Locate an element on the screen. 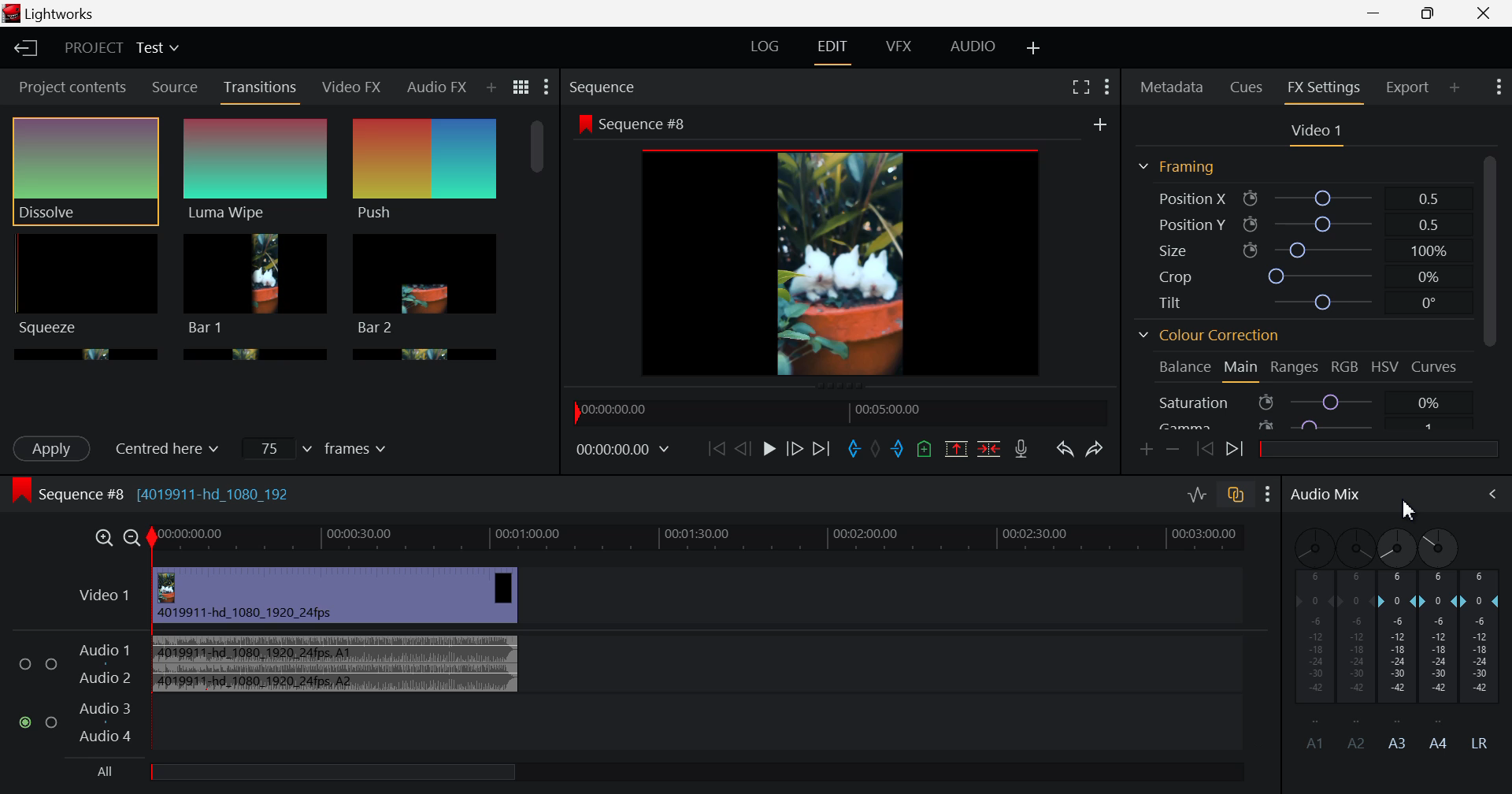 Image resolution: width=1512 pixels, height=794 pixels. Remove marked section is located at coordinates (956, 447).